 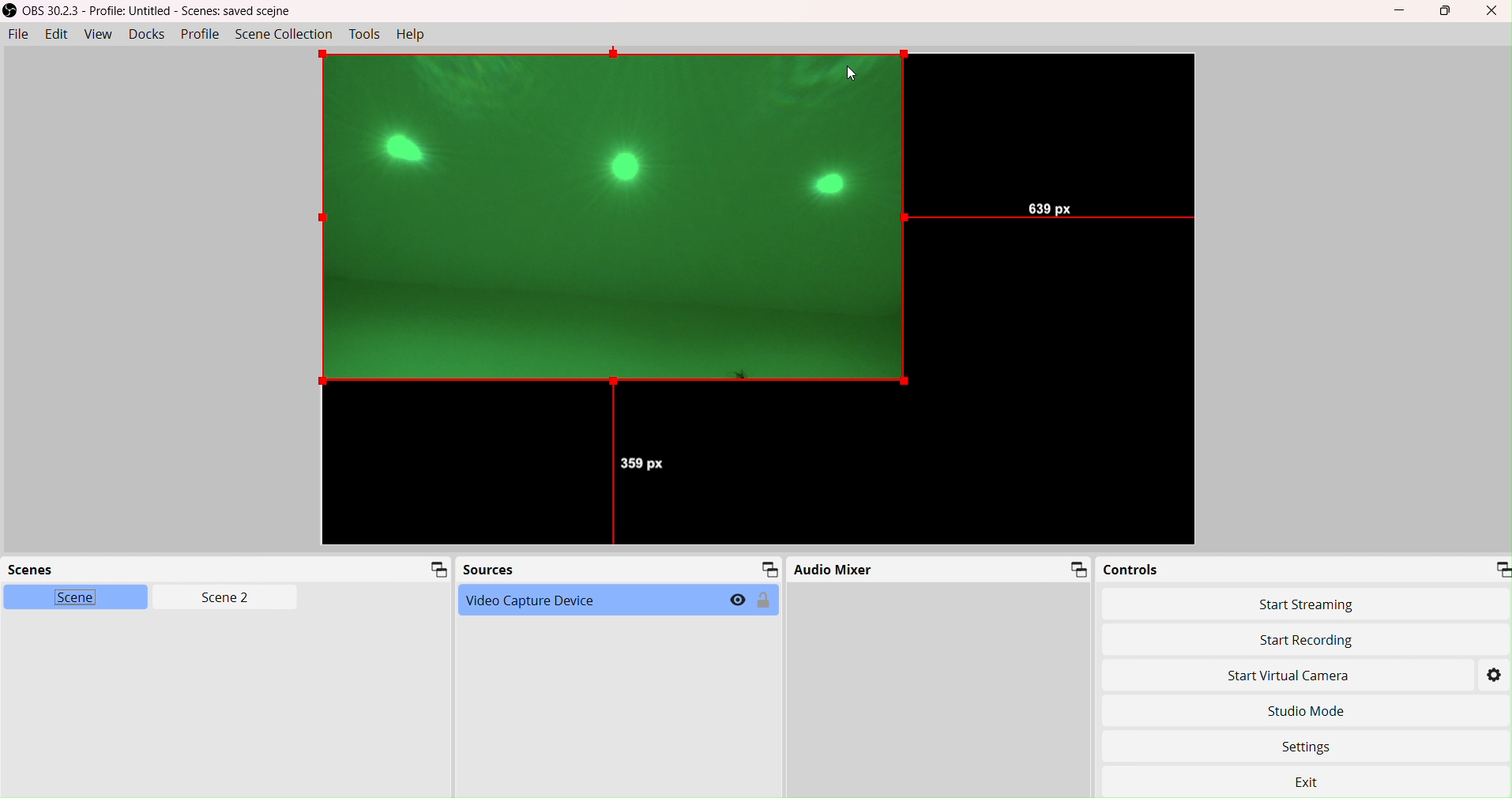 I want to click on box, so click(x=1448, y=12).